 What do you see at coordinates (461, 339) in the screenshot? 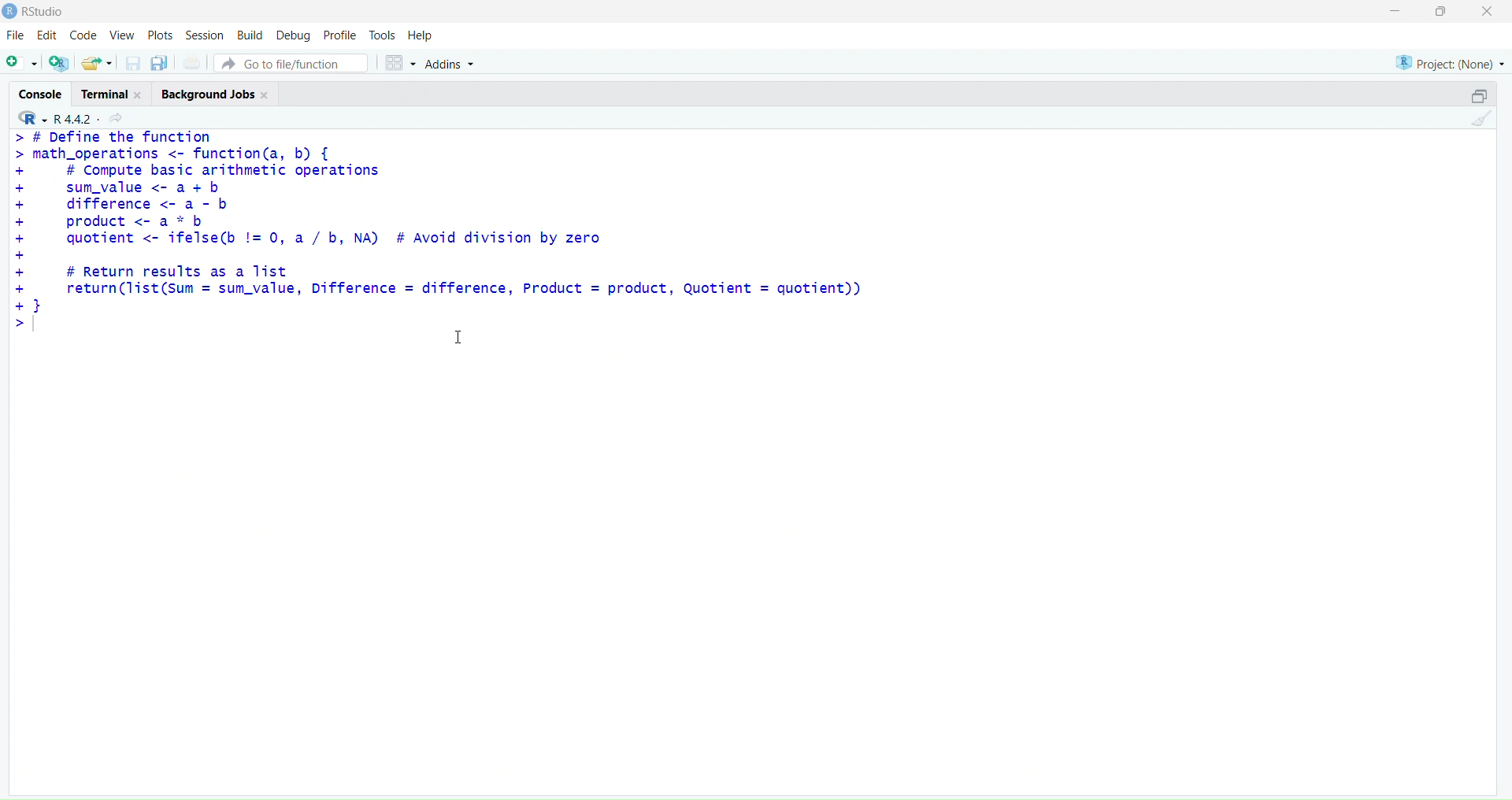
I see `Text cursor` at bounding box center [461, 339].